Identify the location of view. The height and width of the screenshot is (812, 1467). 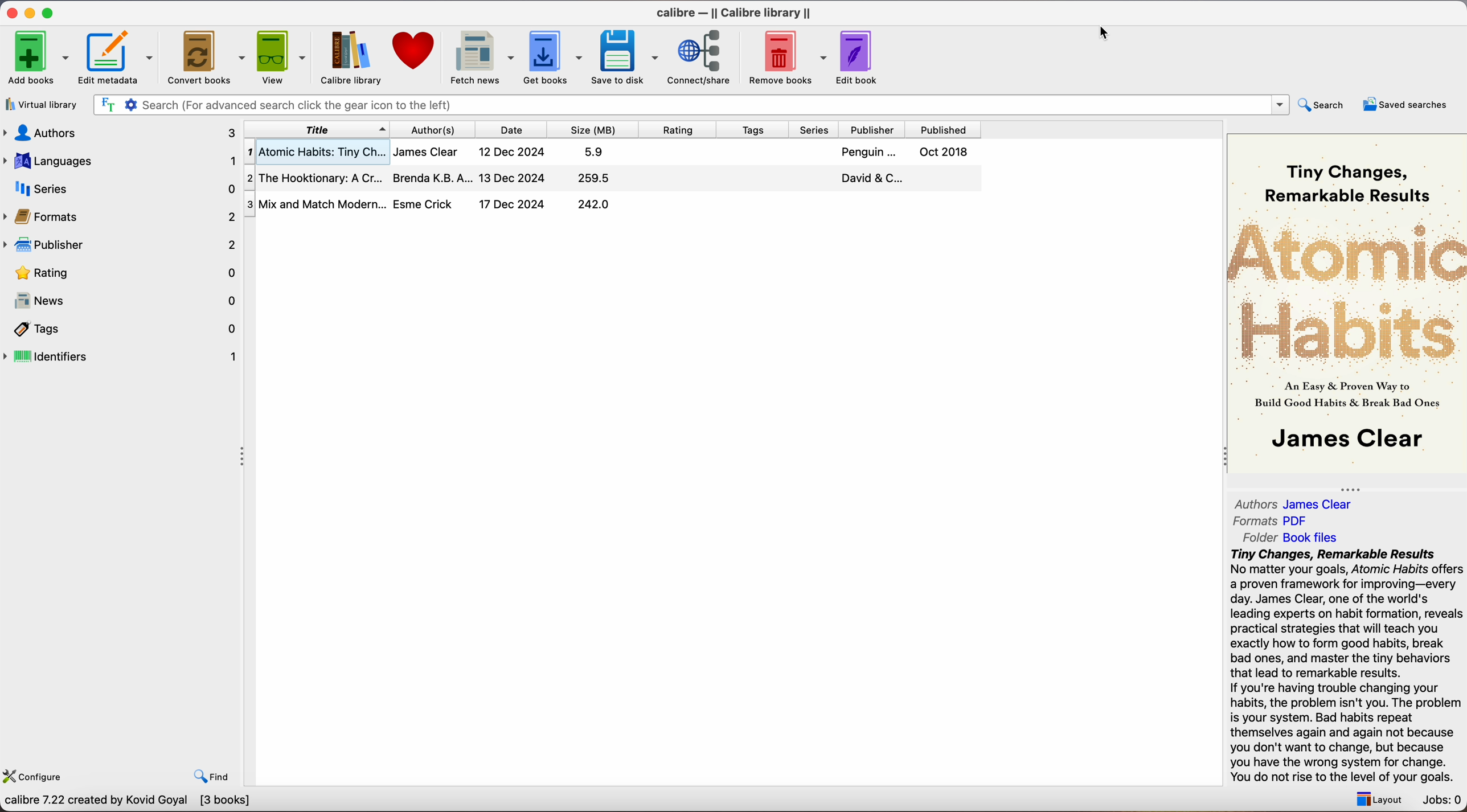
(283, 56).